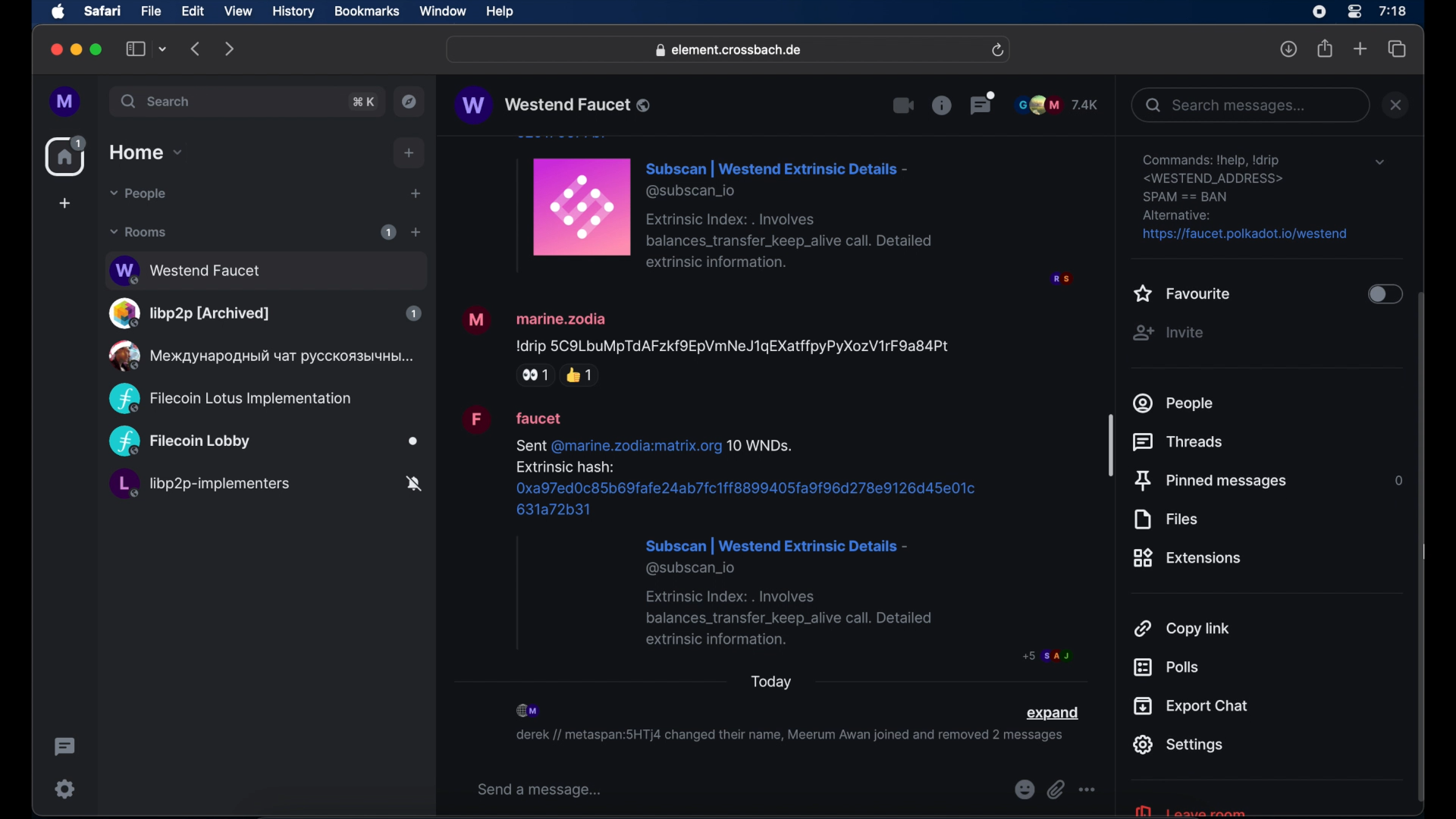 The image size is (1456, 819). What do you see at coordinates (1392, 11) in the screenshot?
I see `time` at bounding box center [1392, 11].